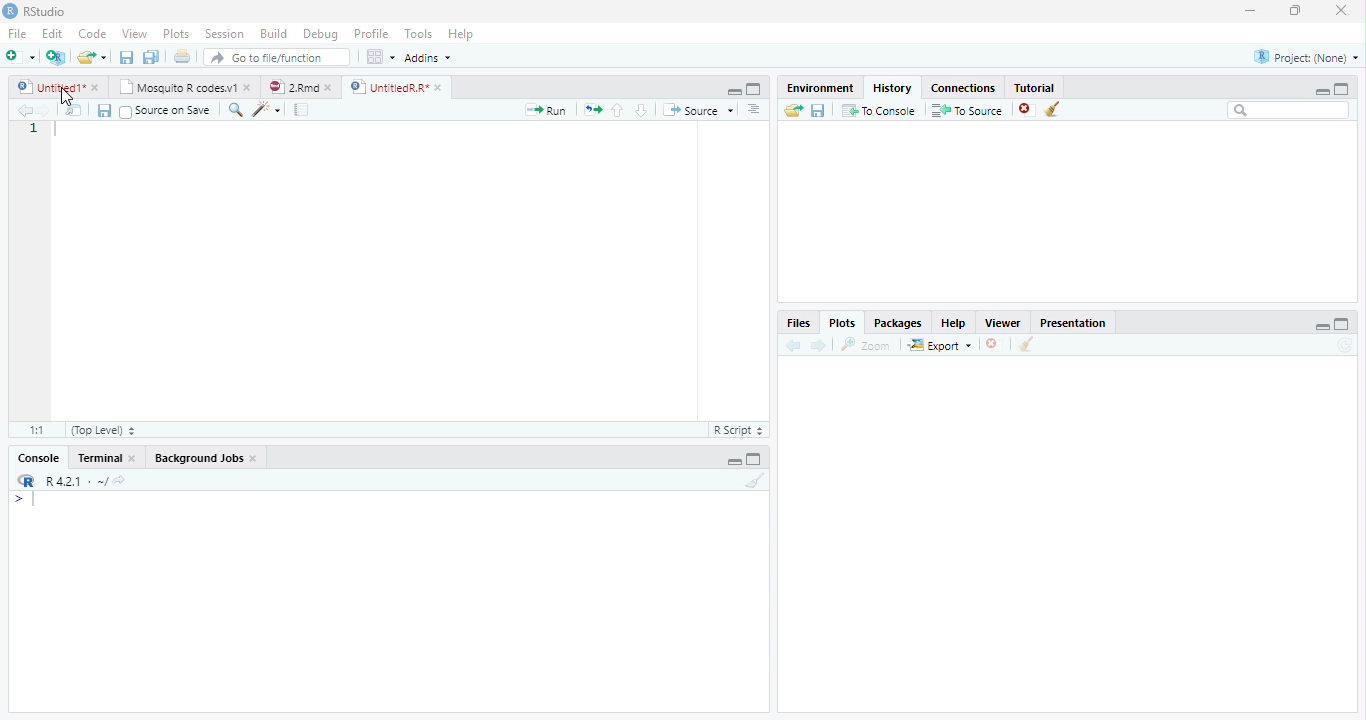 Image resolution: width=1366 pixels, height=720 pixels. Describe the element at coordinates (733, 462) in the screenshot. I see `Minimize` at that location.